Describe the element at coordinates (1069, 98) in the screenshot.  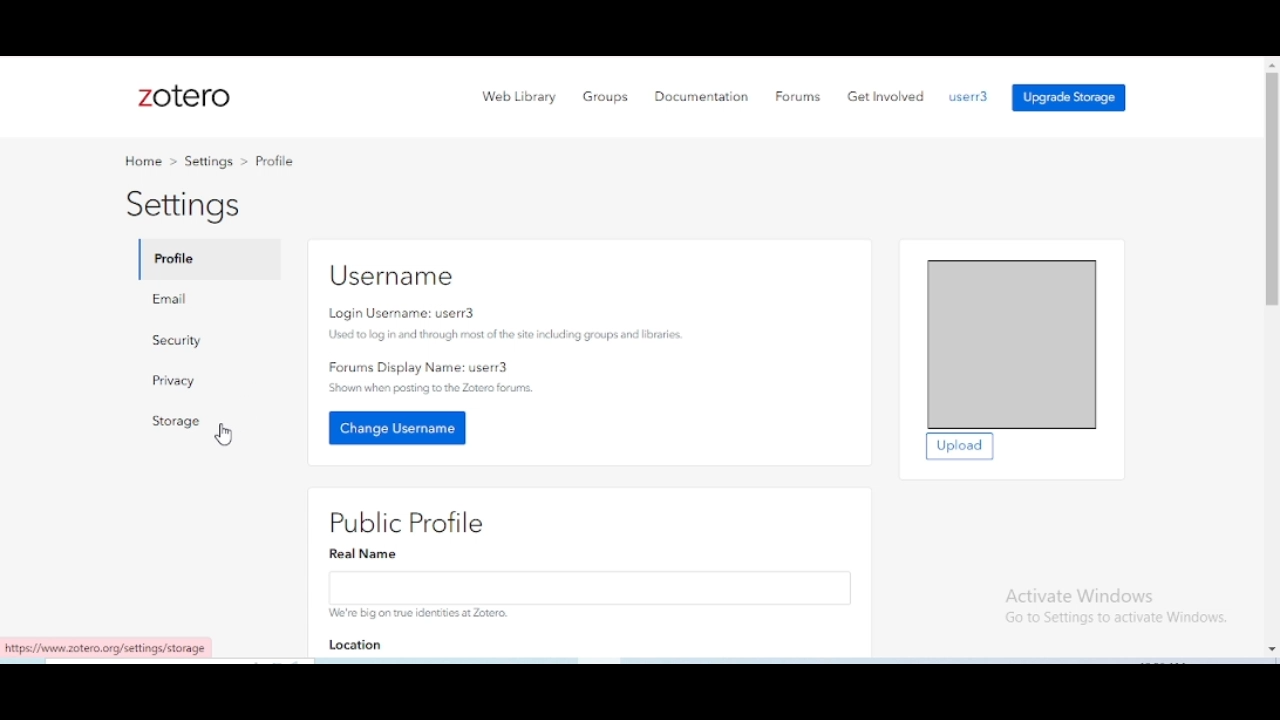
I see `upgrade storage` at that location.